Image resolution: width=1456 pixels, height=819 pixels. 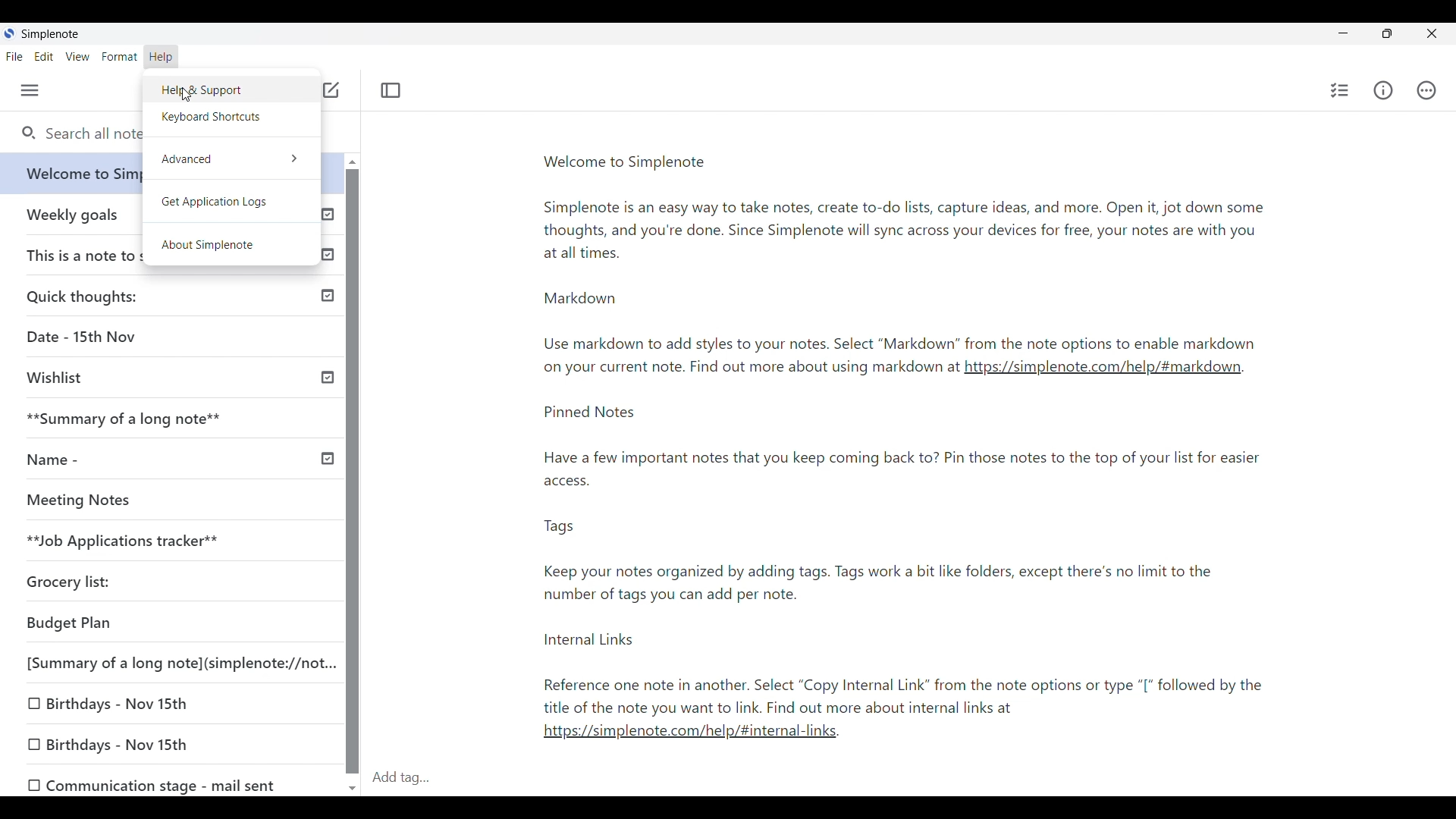 What do you see at coordinates (187, 96) in the screenshot?
I see `cursor` at bounding box center [187, 96].